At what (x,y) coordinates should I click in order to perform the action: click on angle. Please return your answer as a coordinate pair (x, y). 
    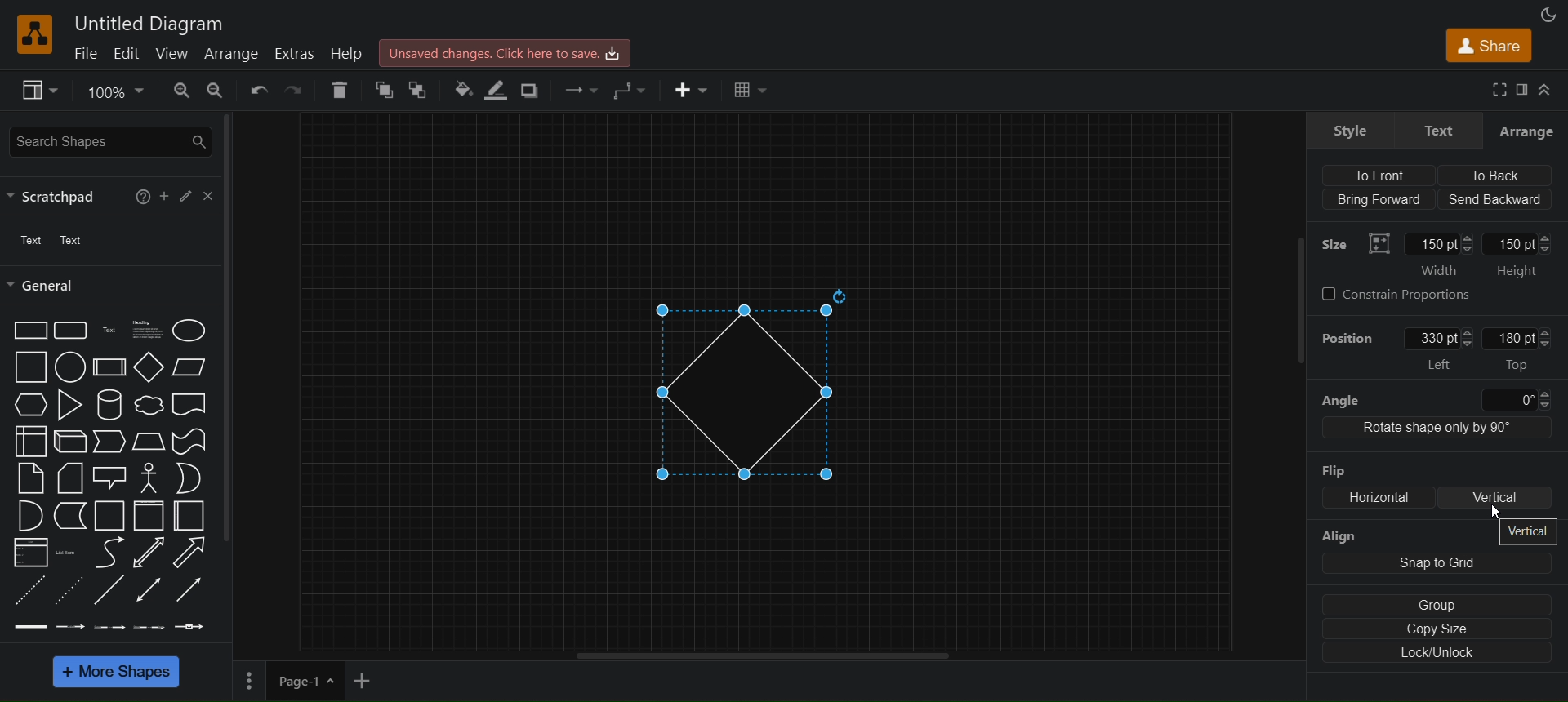
    Looking at the image, I should click on (1434, 398).